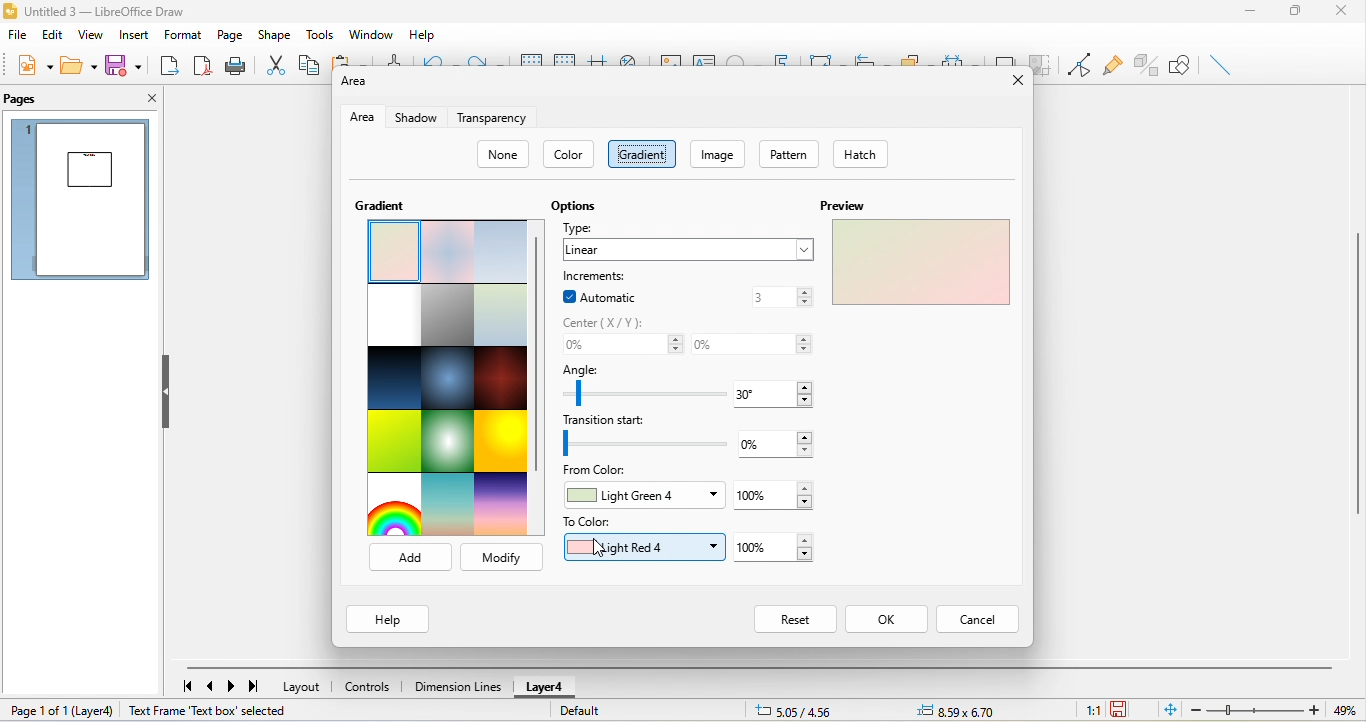  Describe the element at coordinates (914, 56) in the screenshot. I see `arrange` at that location.